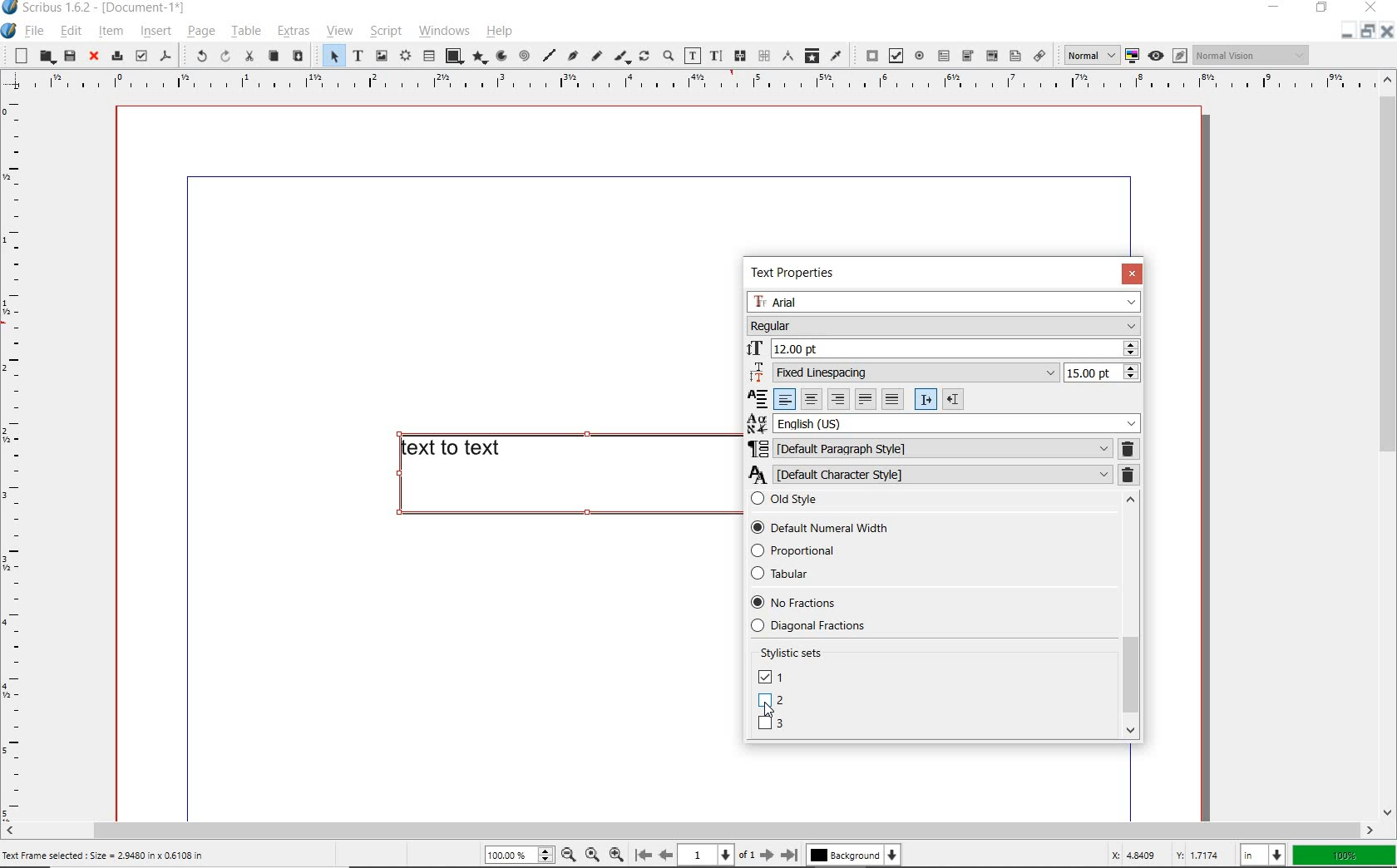 The width and height of the screenshot is (1397, 868). I want to click on Zoom in, so click(616, 853).